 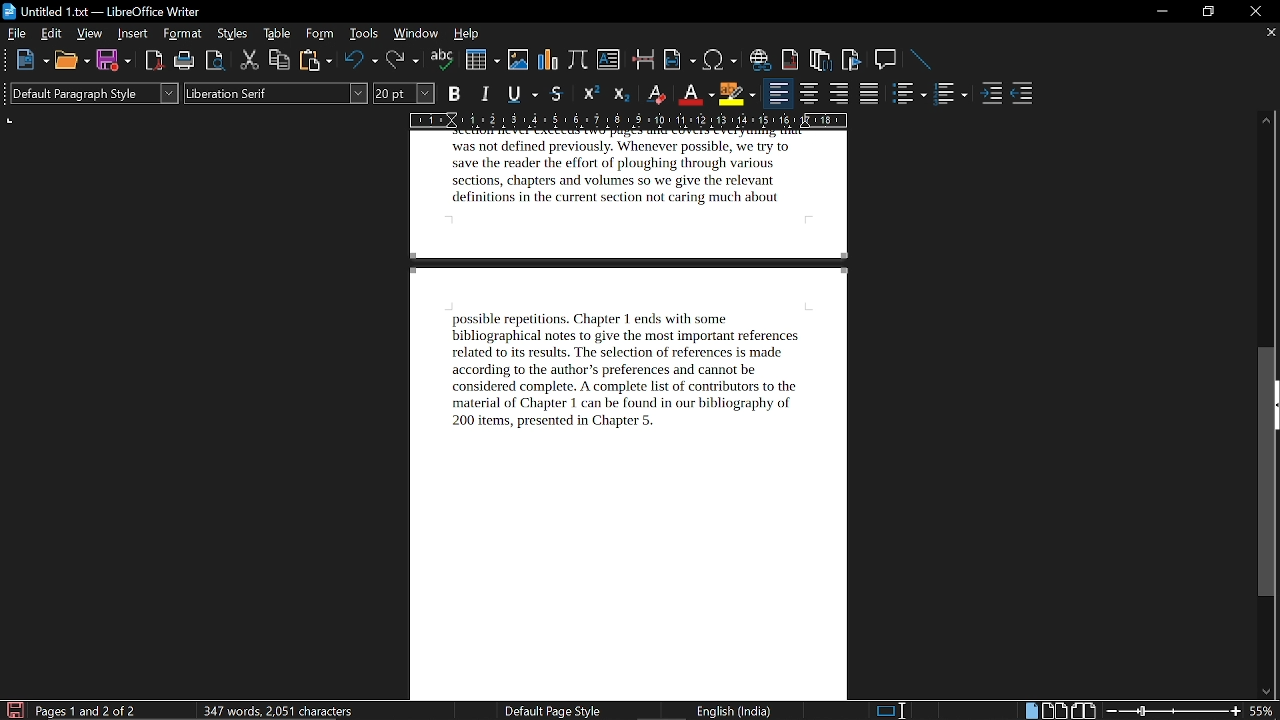 I want to click on scale, so click(x=629, y=119).